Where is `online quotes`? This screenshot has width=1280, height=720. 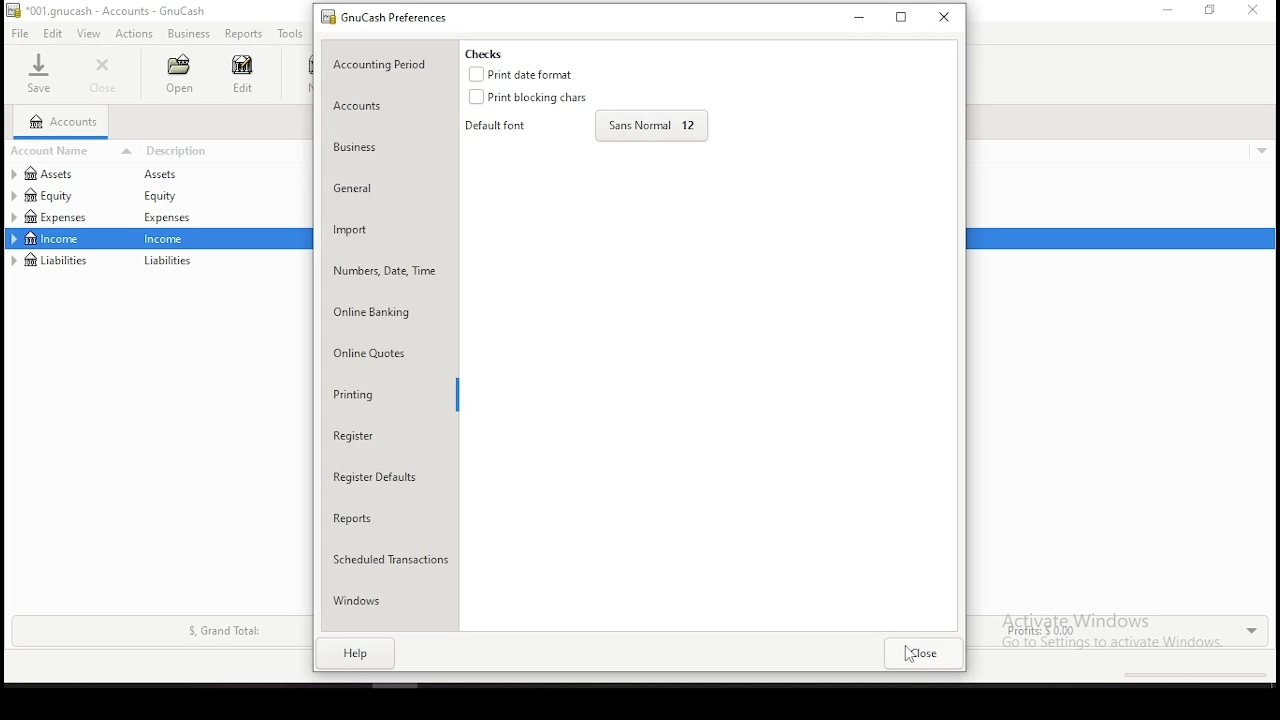 online quotes is located at coordinates (371, 355).